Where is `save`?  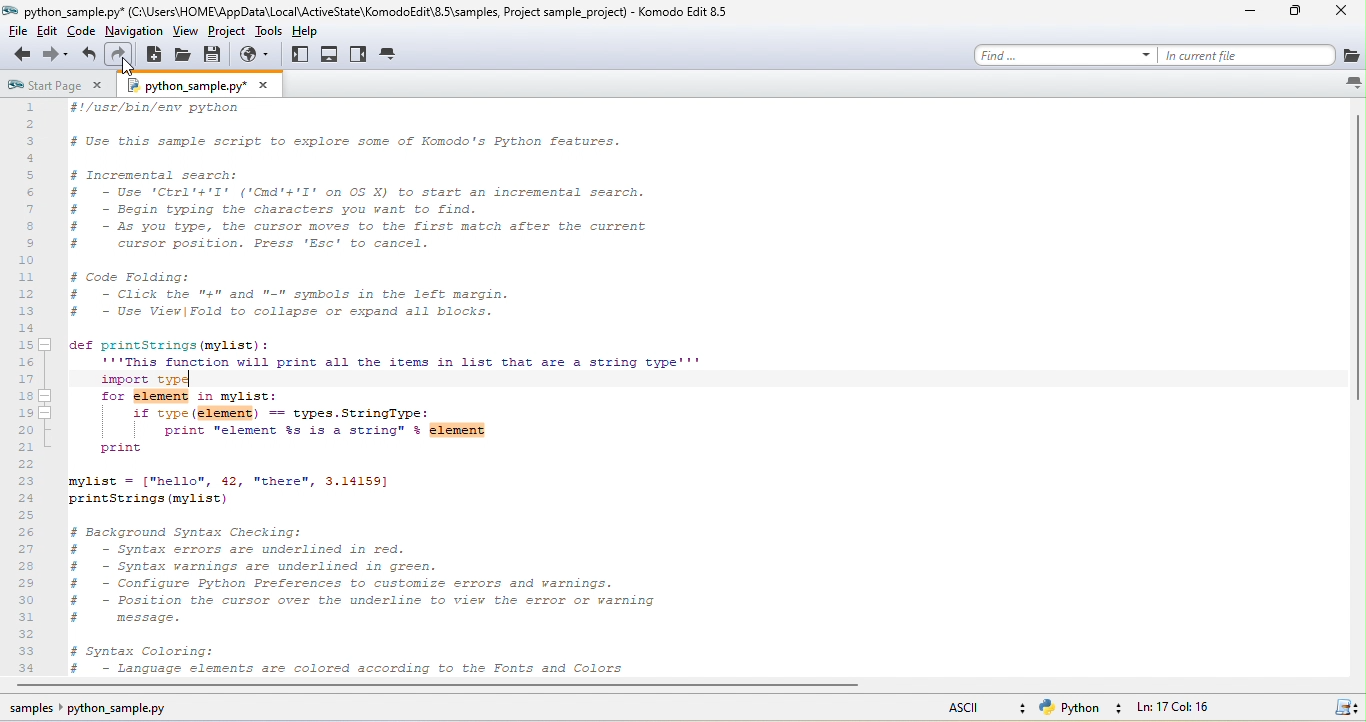
save is located at coordinates (217, 58).